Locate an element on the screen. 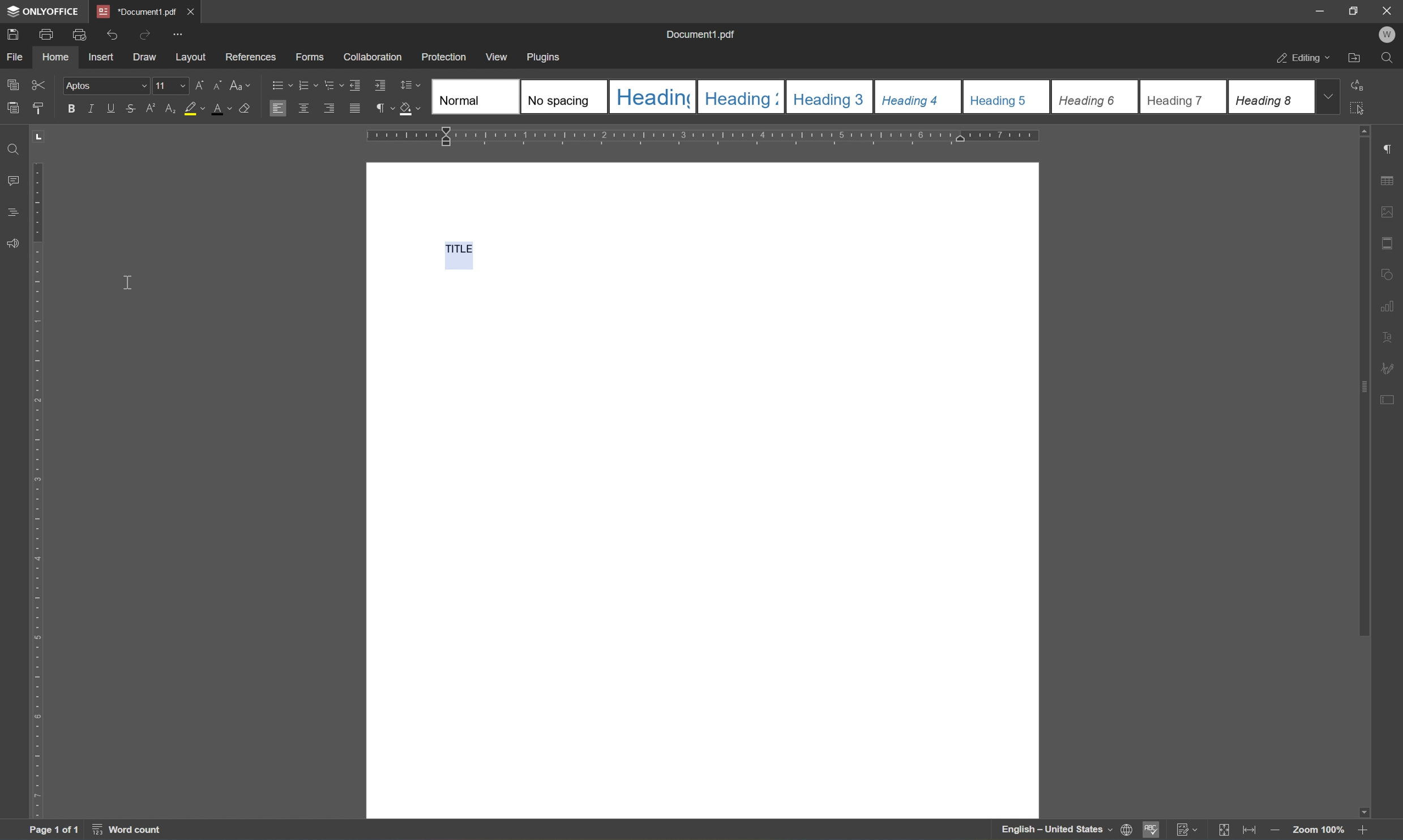 Image resolution: width=1403 pixels, height=840 pixels. page 1 of 1 is located at coordinates (54, 828).